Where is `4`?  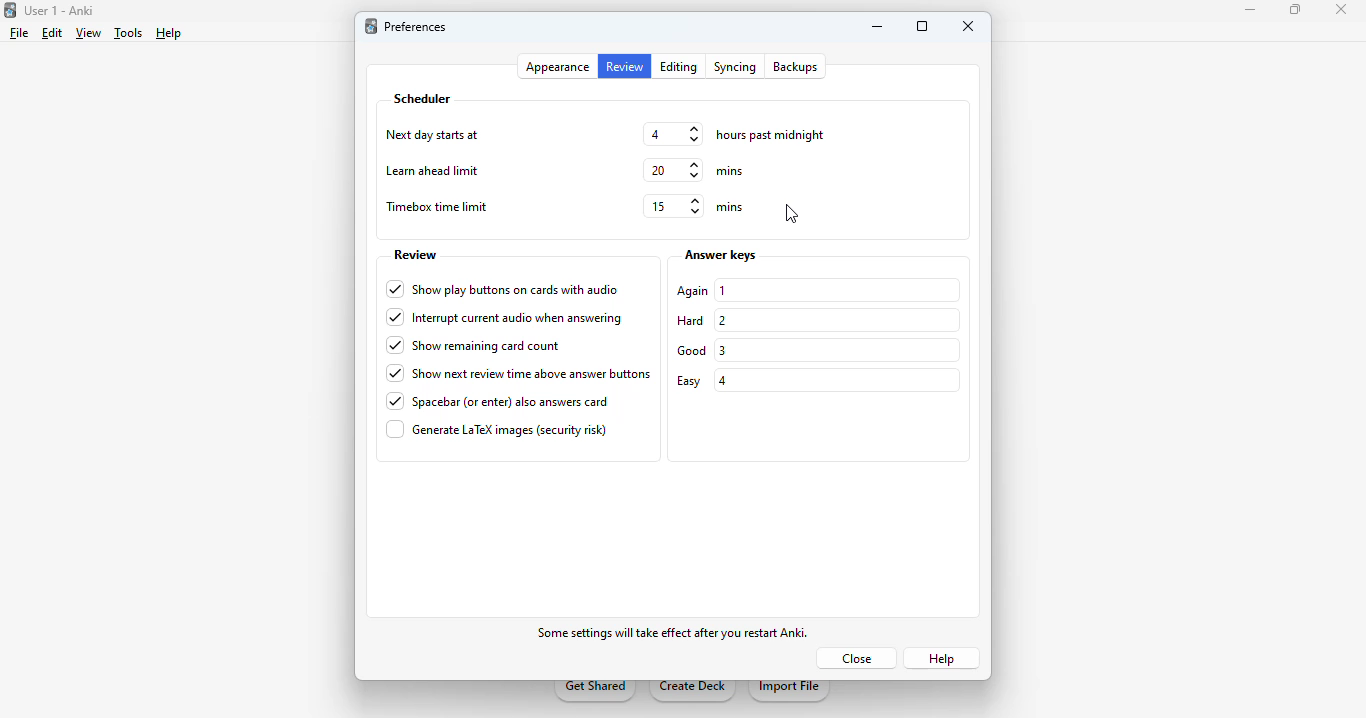
4 is located at coordinates (674, 134).